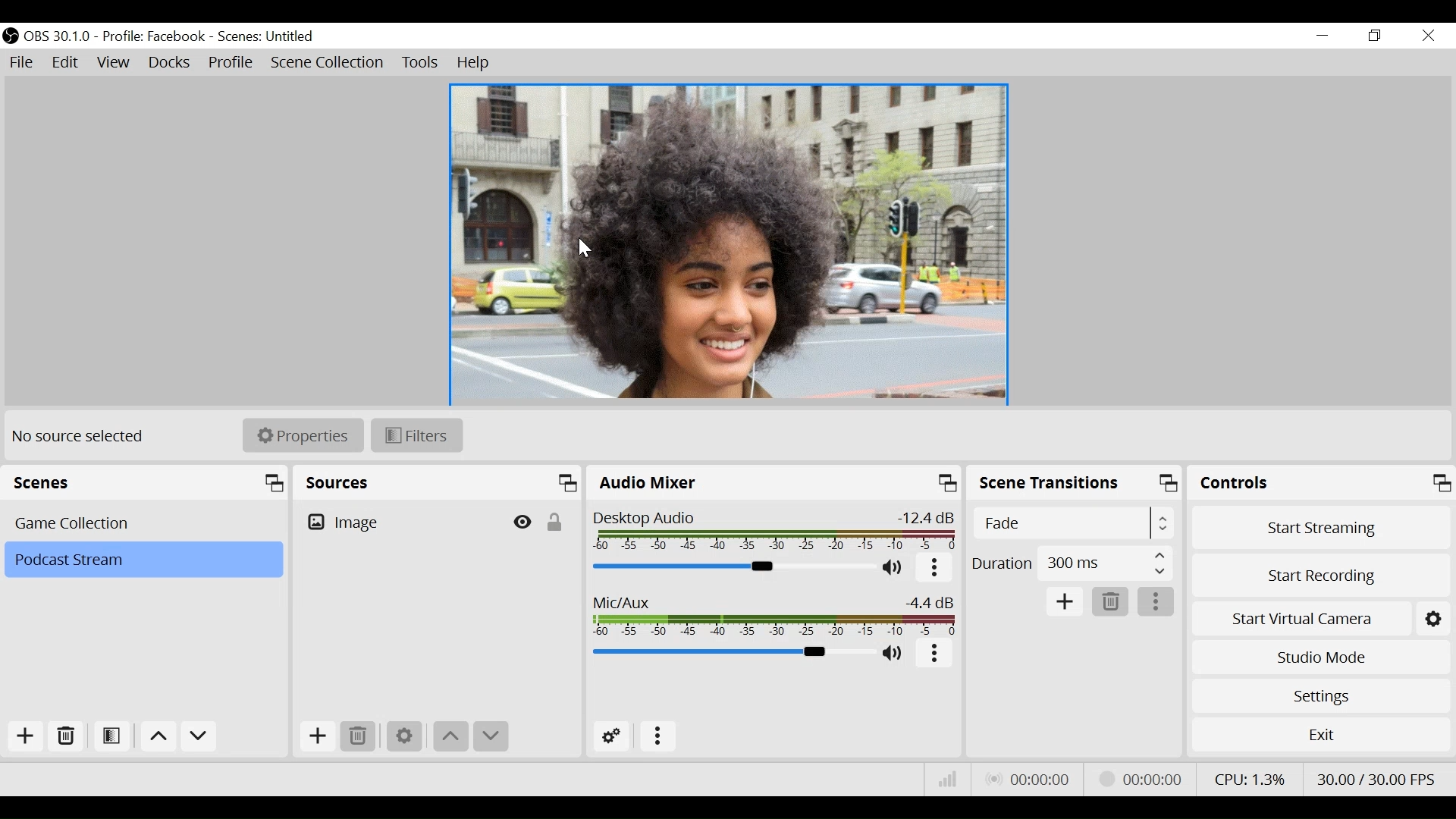 The height and width of the screenshot is (819, 1456). I want to click on More options, so click(935, 654).